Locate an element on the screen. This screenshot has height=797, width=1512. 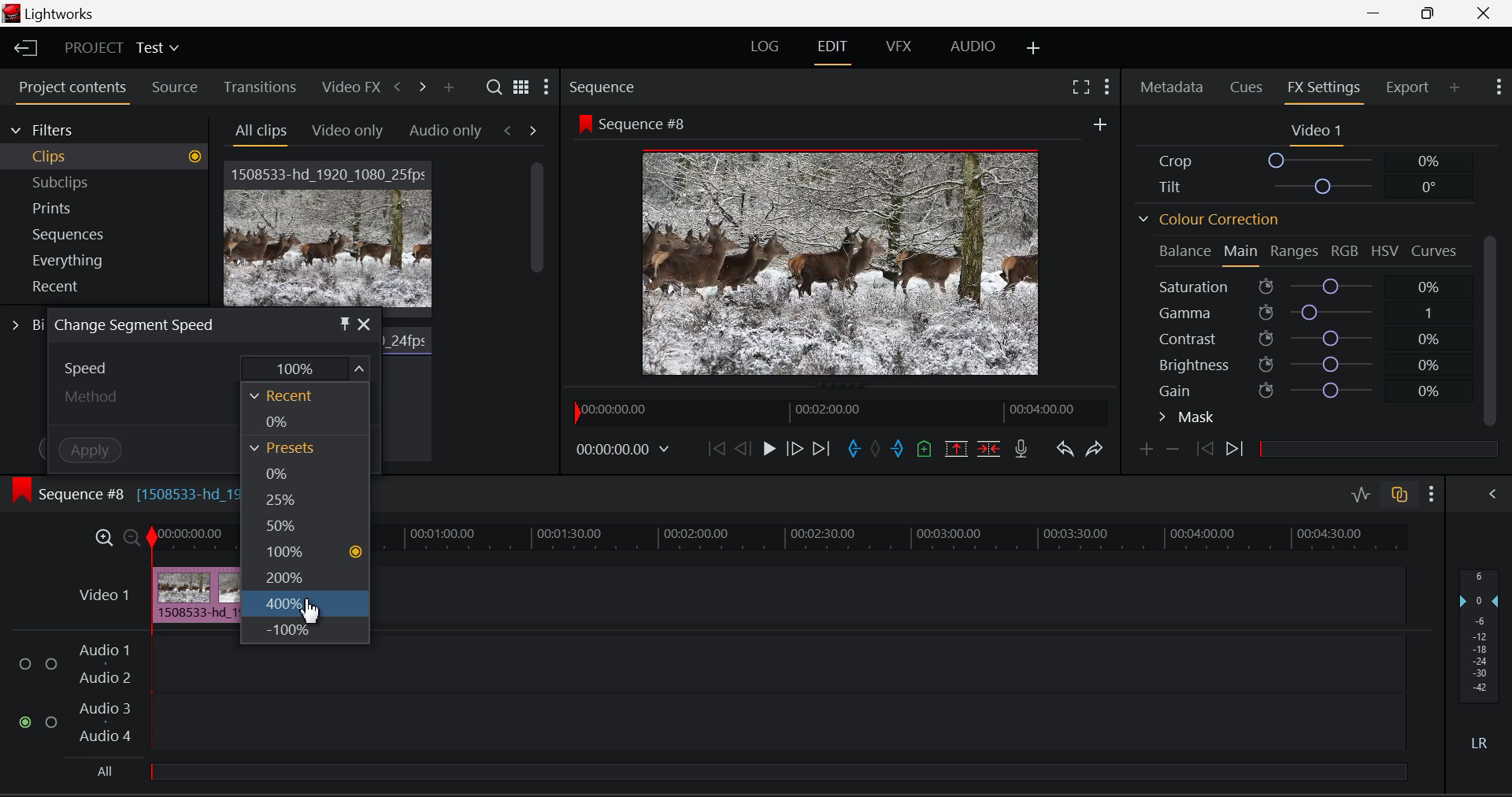
Metadata is located at coordinates (1170, 87).